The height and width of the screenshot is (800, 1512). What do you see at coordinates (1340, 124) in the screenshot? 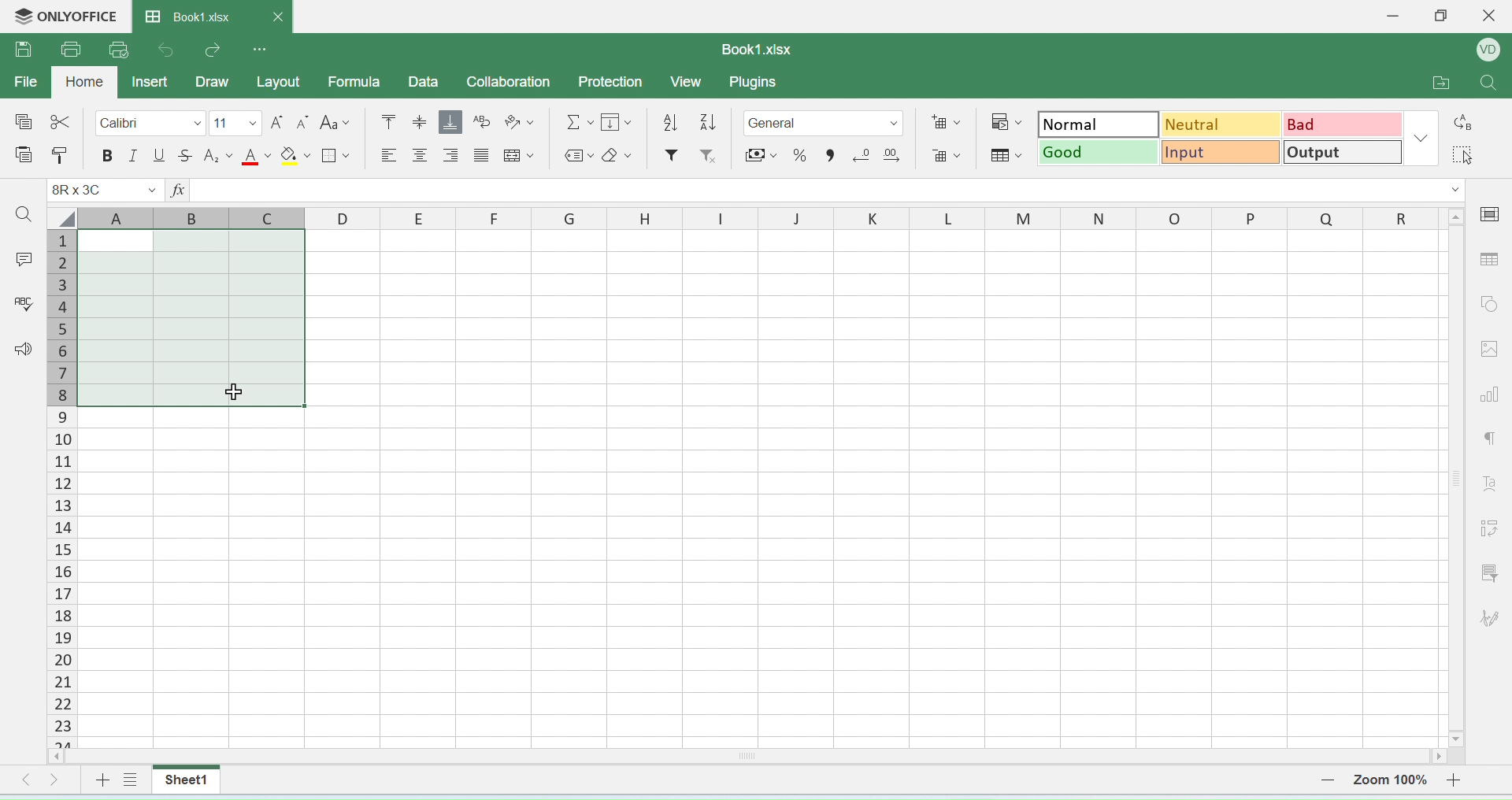
I see `bad` at bounding box center [1340, 124].